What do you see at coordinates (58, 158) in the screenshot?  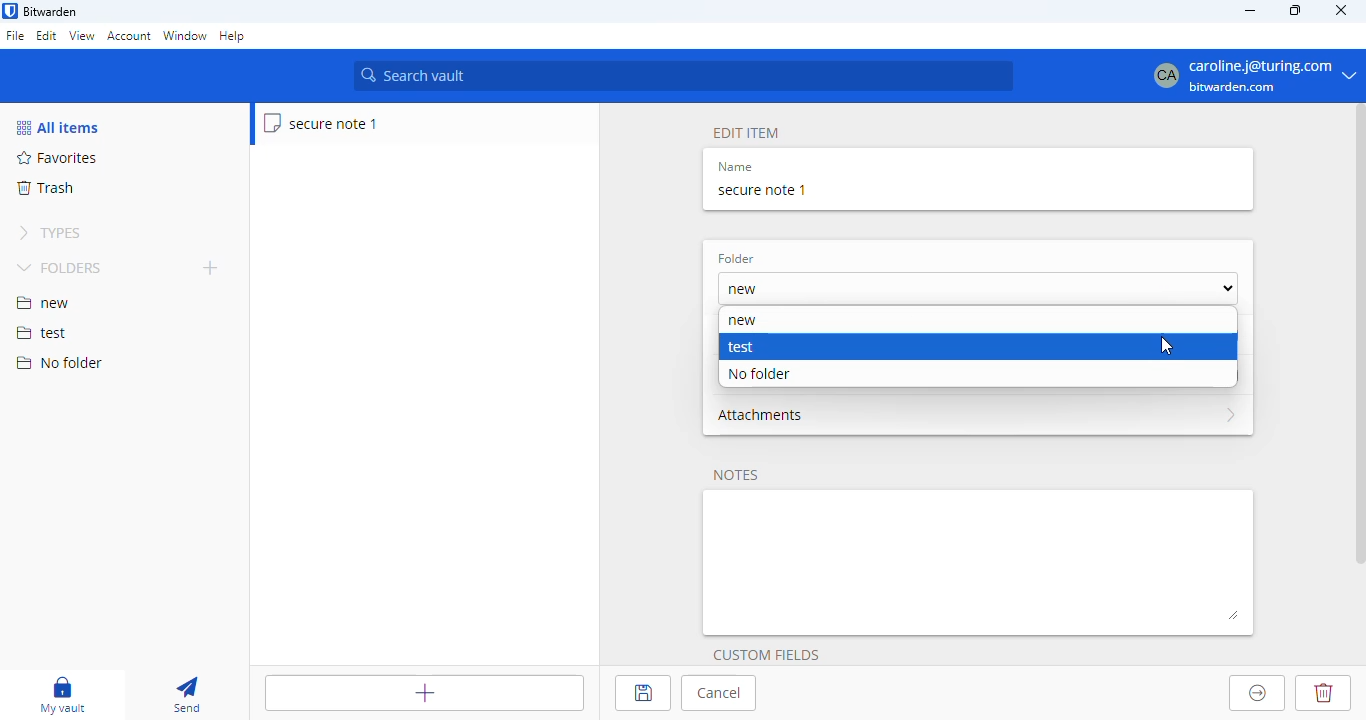 I see `favorites` at bounding box center [58, 158].